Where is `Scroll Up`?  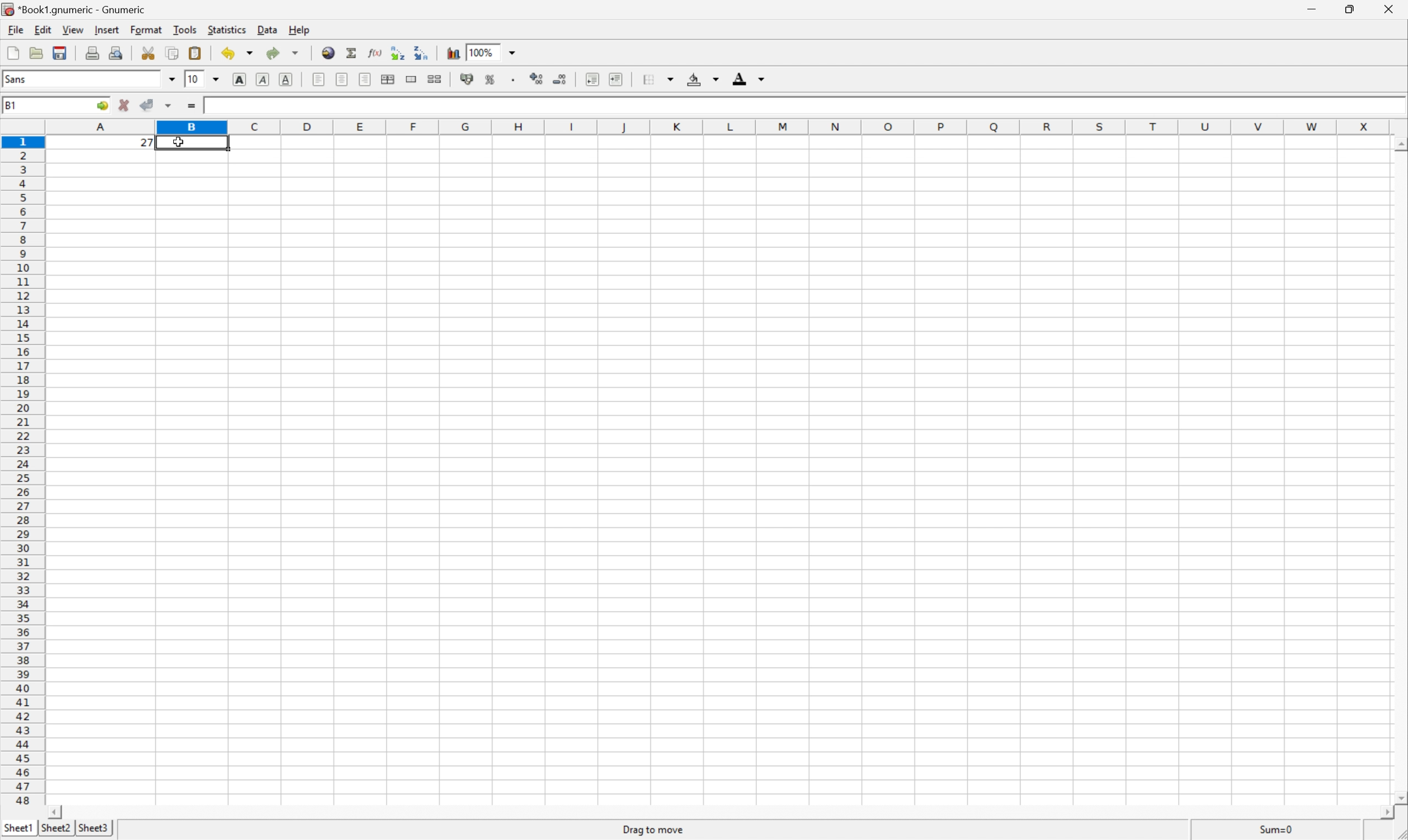
Scroll Up is located at coordinates (1399, 147).